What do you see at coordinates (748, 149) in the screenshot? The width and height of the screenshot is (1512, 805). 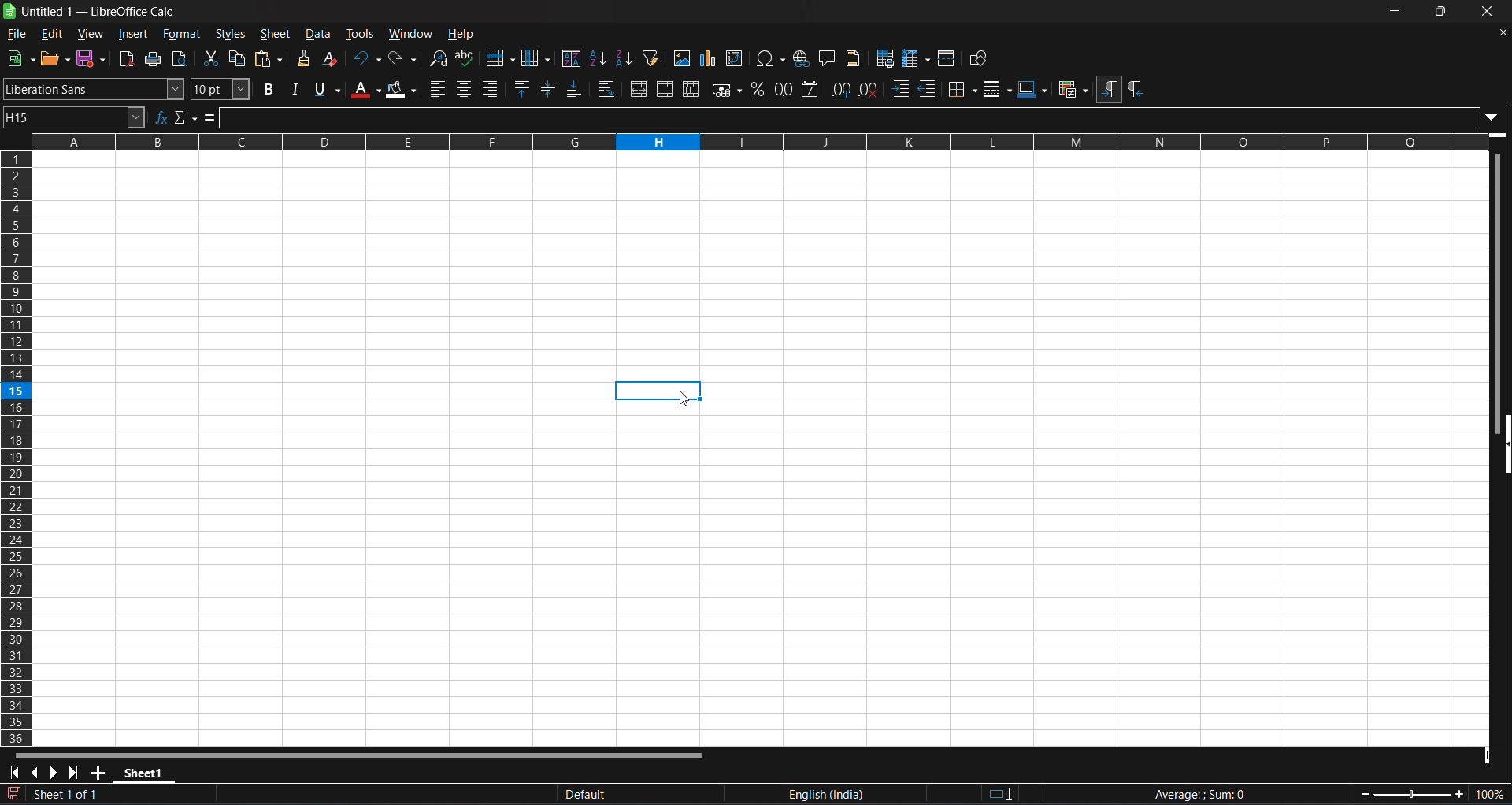 I see `rows` at bounding box center [748, 149].